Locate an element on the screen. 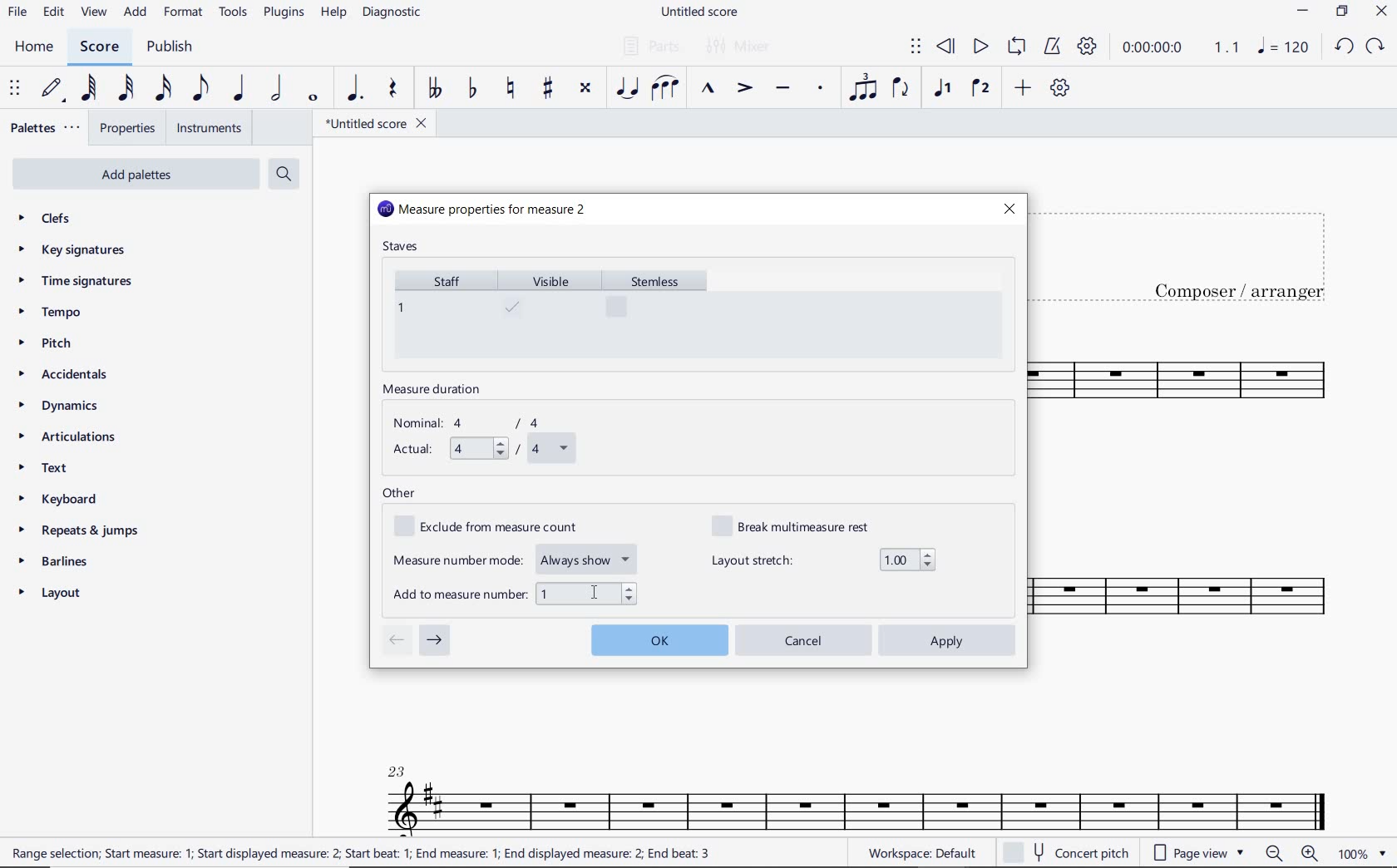 The width and height of the screenshot is (1397, 868). cancel is located at coordinates (804, 639).